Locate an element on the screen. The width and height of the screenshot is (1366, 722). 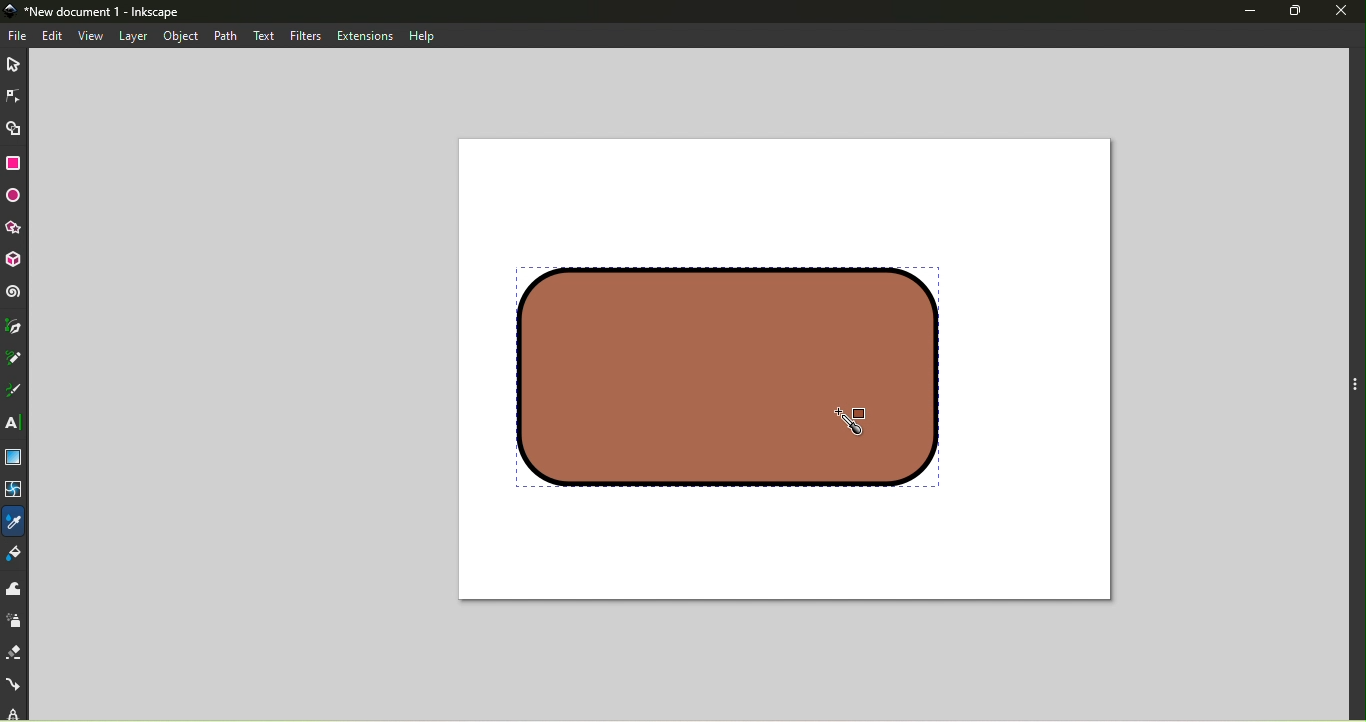
Extensions is located at coordinates (365, 36).